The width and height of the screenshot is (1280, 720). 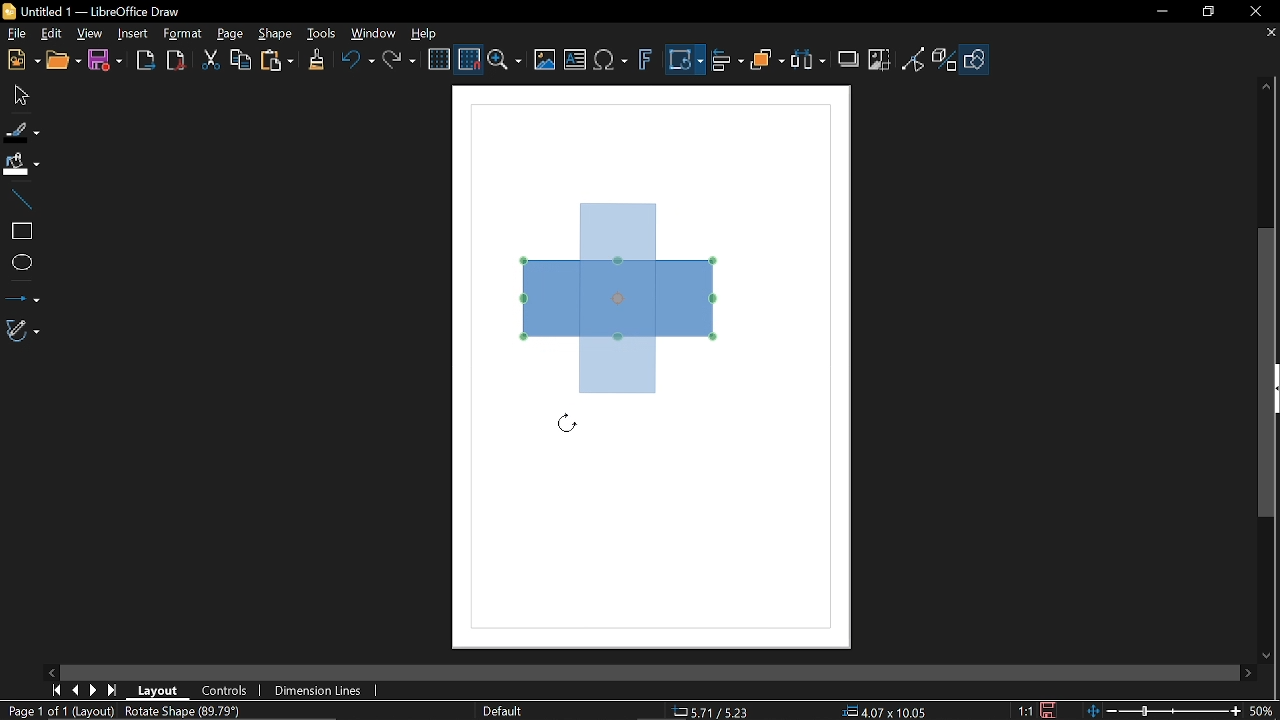 I want to click on Format, so click(x=181, y=34).